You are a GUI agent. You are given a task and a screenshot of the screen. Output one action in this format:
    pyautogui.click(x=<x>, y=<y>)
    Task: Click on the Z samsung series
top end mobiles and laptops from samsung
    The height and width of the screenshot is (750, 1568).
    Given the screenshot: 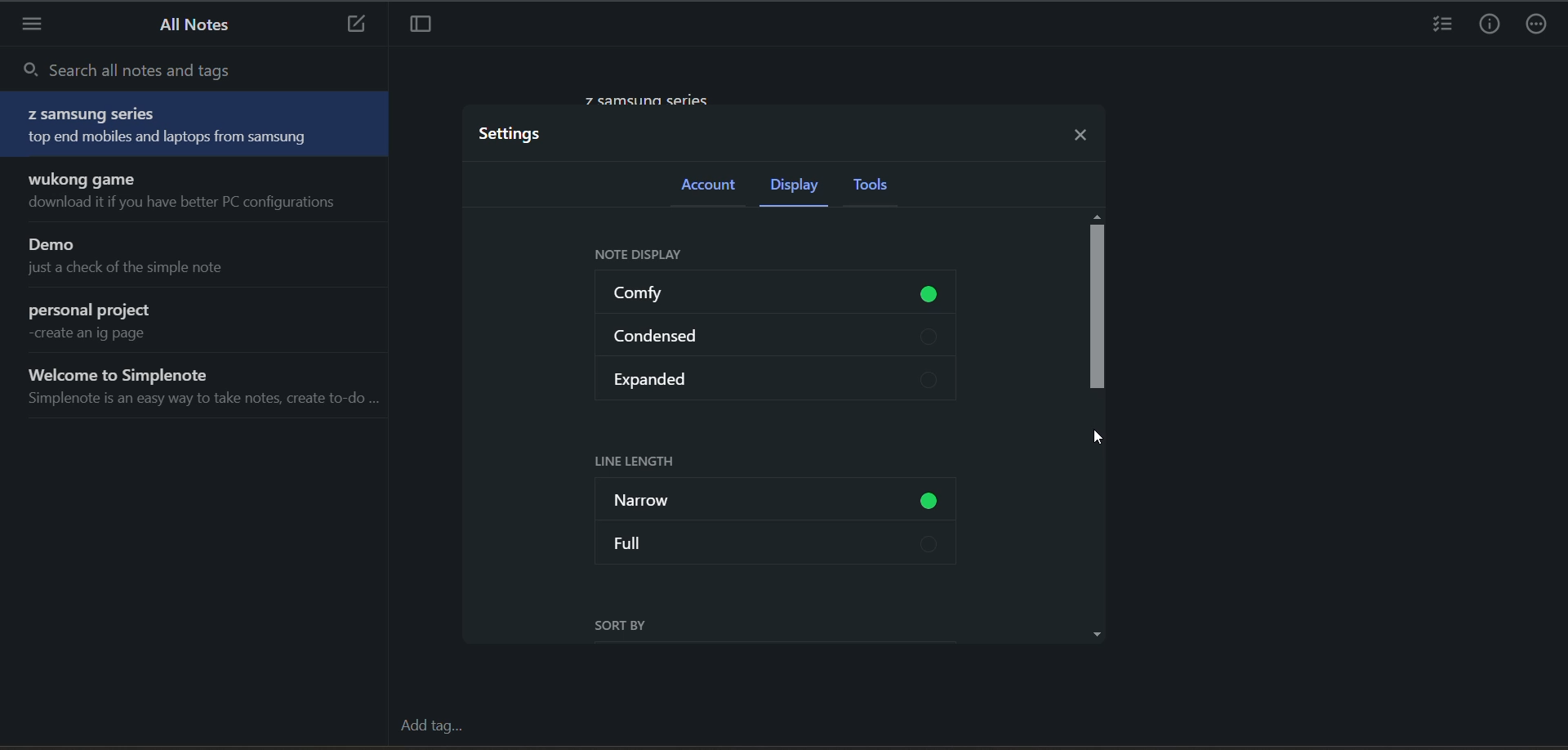 What is the action you would take?
    pyautogui.click(x=196, y=125)
    